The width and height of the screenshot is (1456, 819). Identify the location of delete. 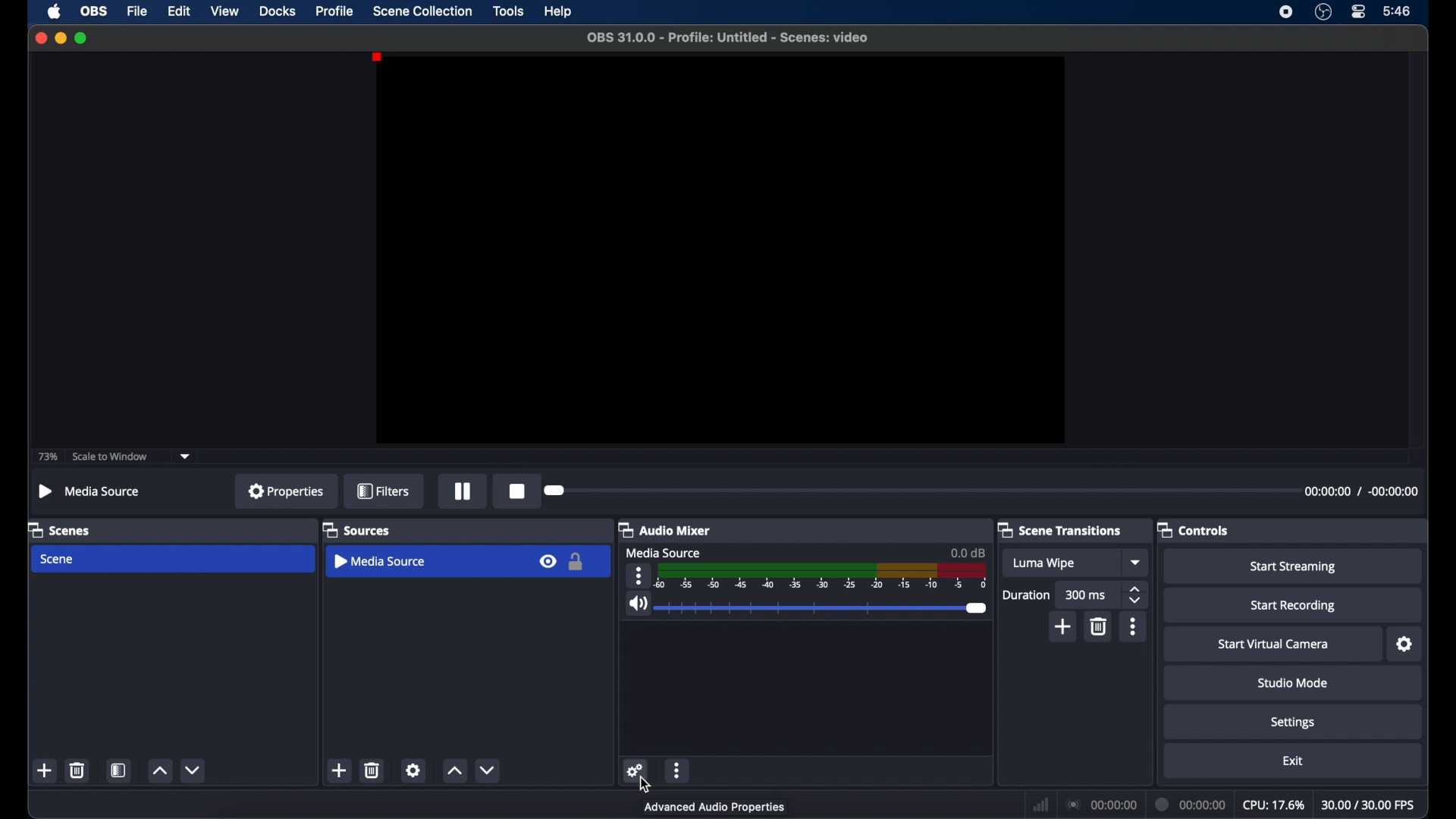
(76, 770).